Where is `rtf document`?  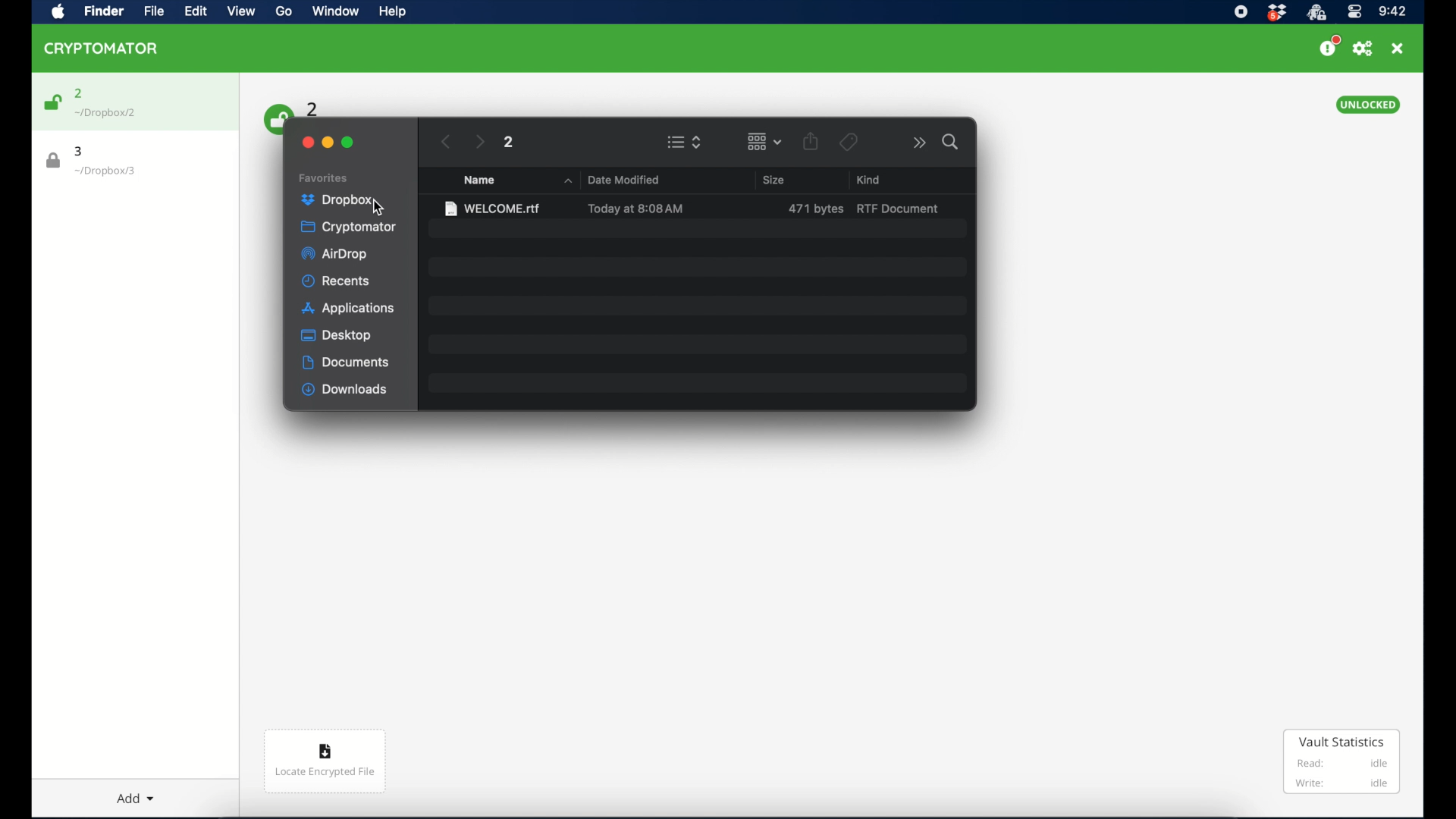 rtf document is located at coordinates (898, 209).